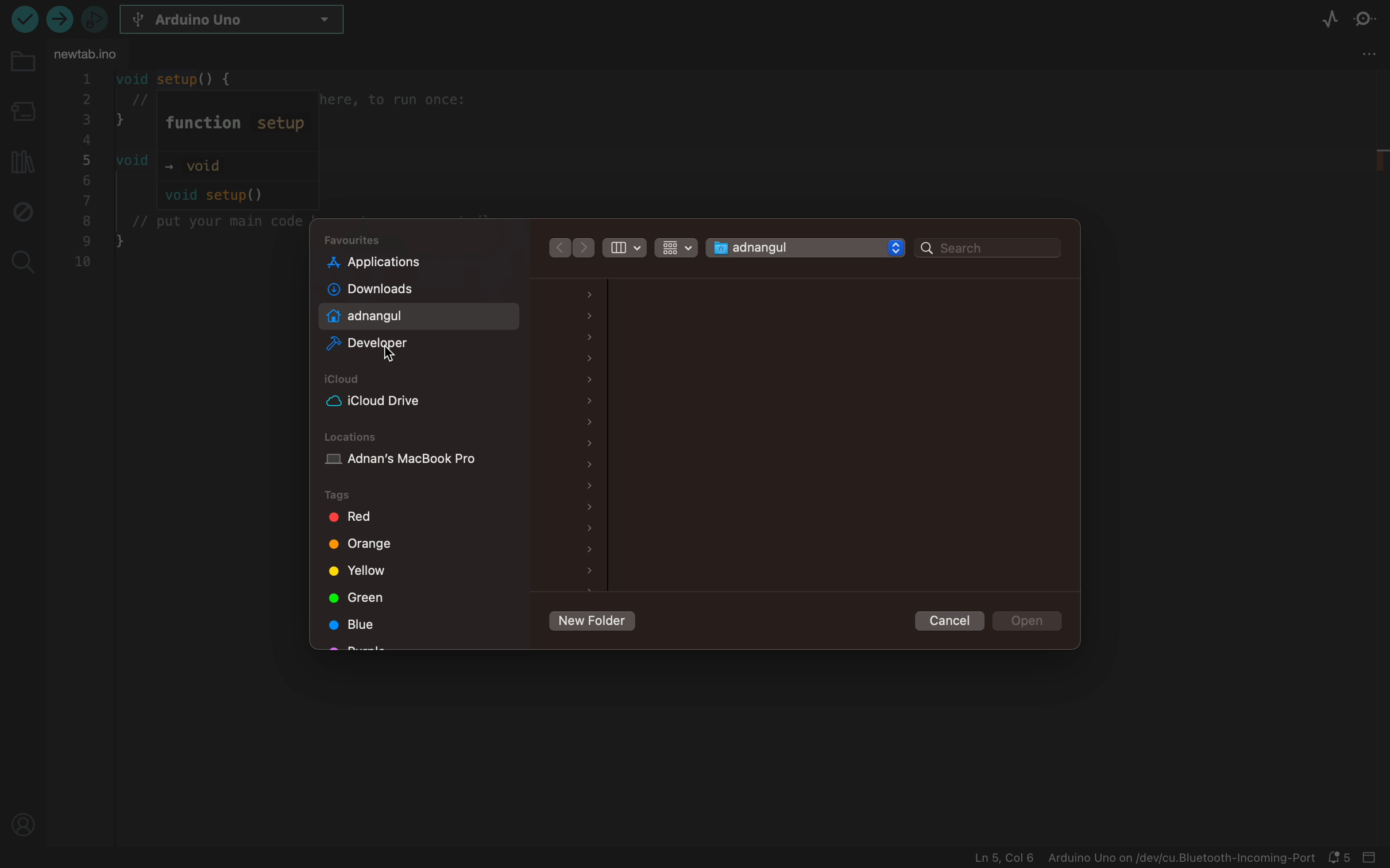  I want to click on favourites, so click(357, 240).